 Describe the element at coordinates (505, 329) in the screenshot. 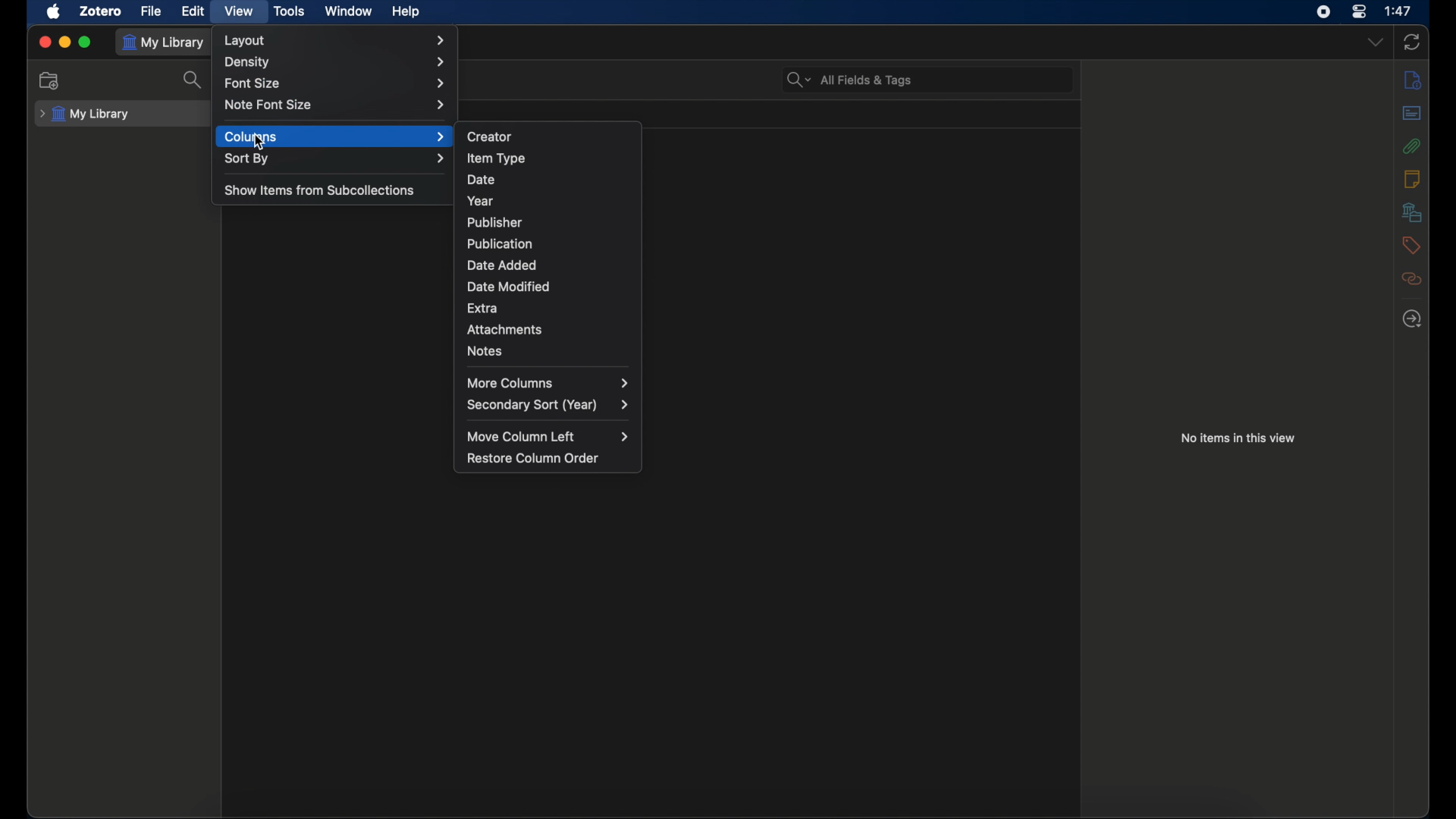

I see `attachments` at that location.